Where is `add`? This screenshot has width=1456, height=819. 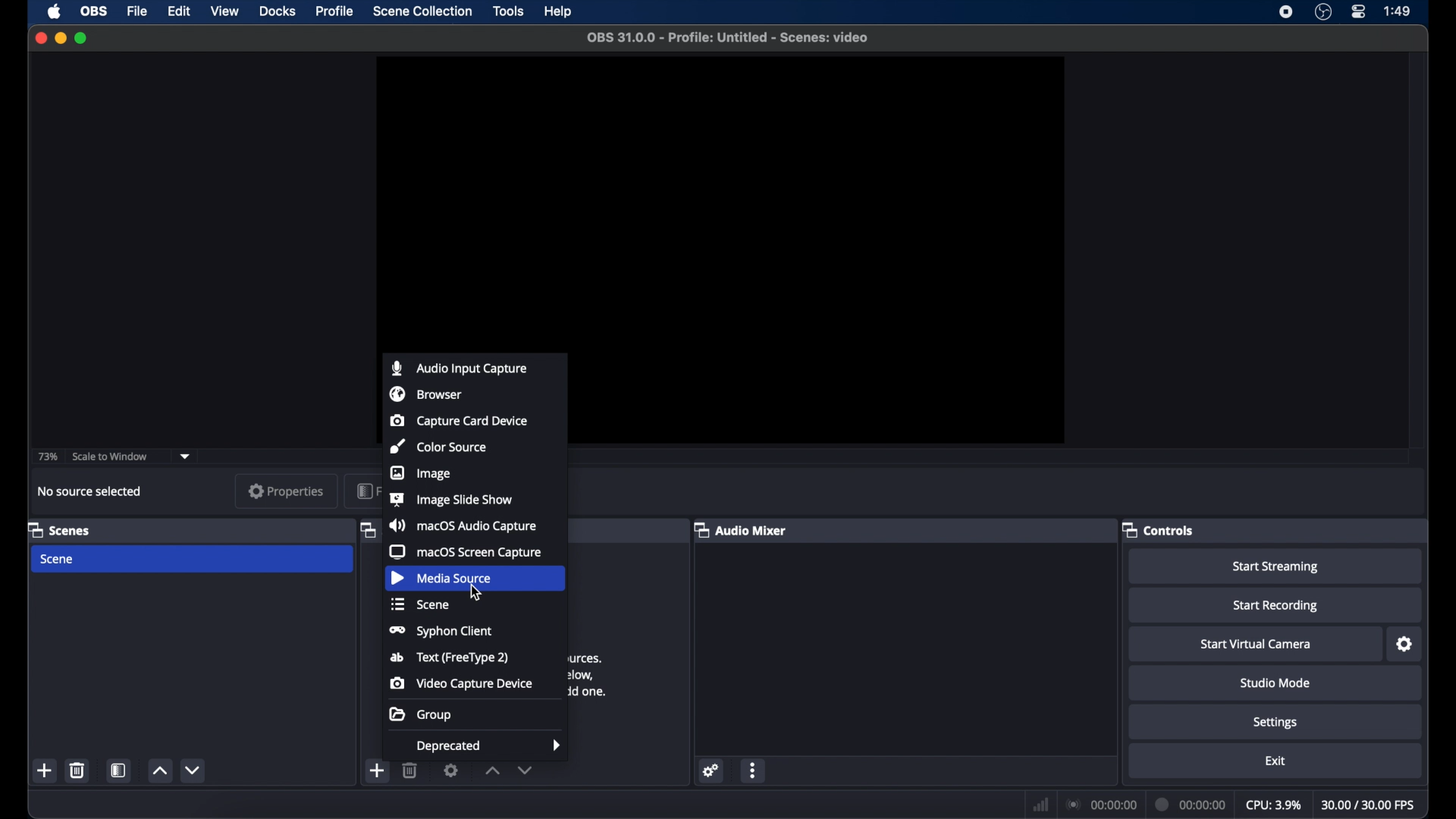 add is located at coordinates (45, 770).